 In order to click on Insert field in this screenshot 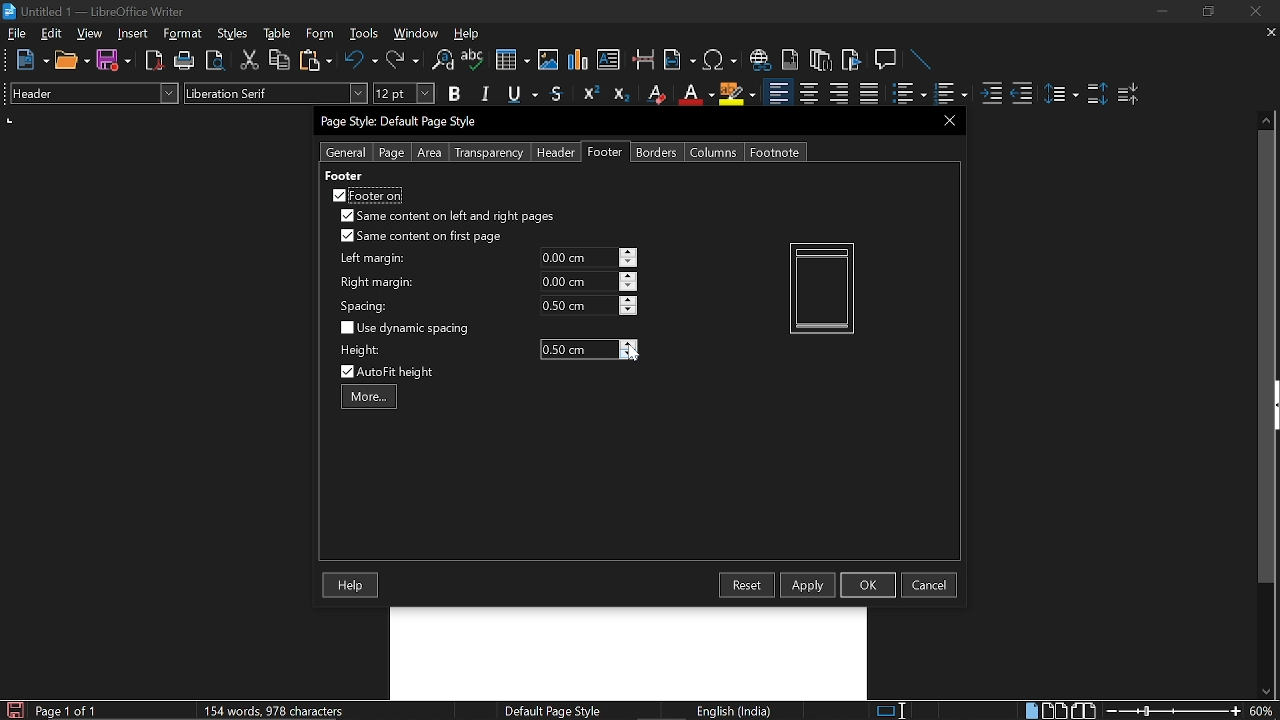, I will do `click(680, 61)`.